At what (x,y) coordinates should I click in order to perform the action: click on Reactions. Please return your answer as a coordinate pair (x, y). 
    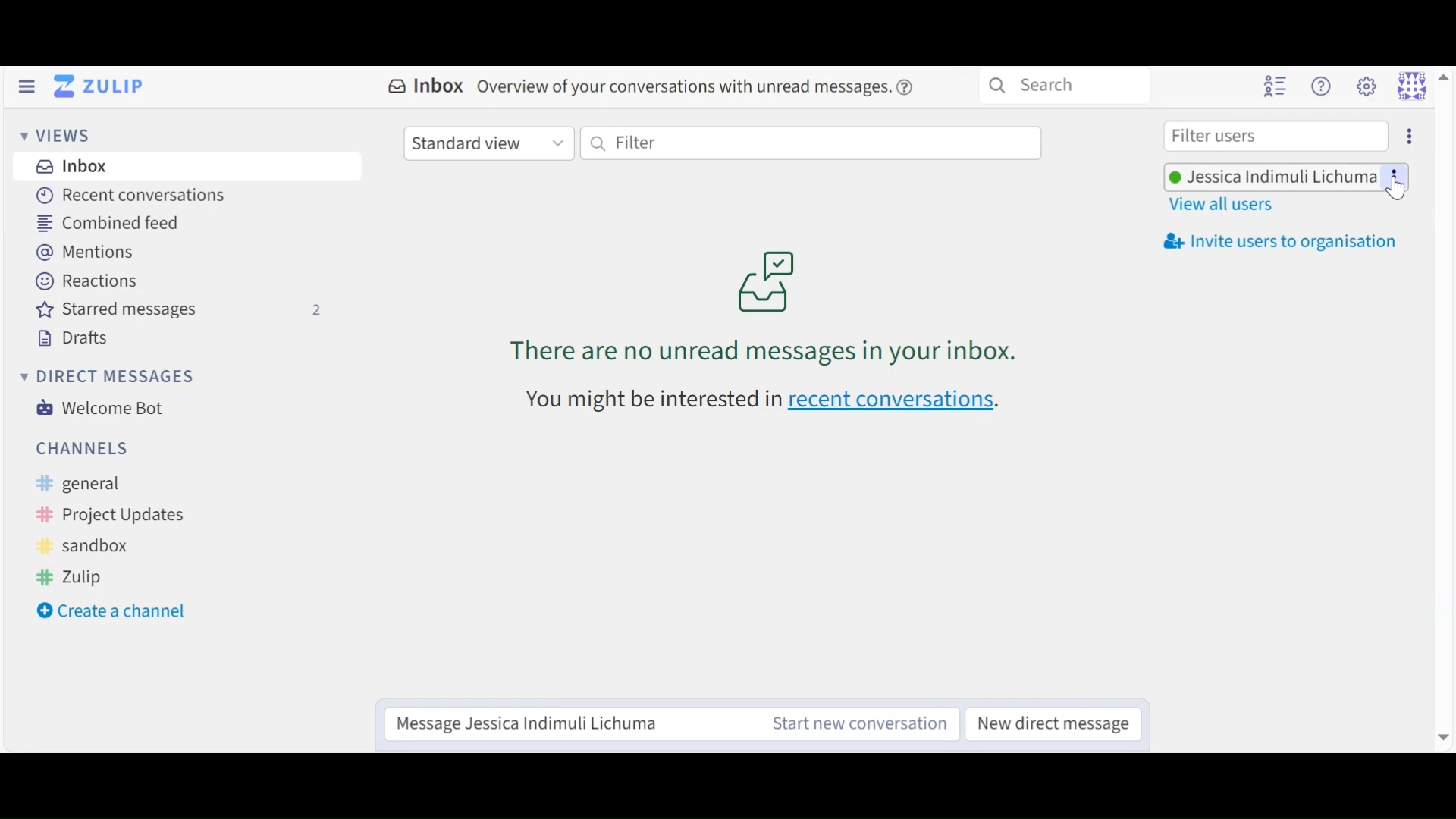
    Looking at the image, I should click on (89, 282).